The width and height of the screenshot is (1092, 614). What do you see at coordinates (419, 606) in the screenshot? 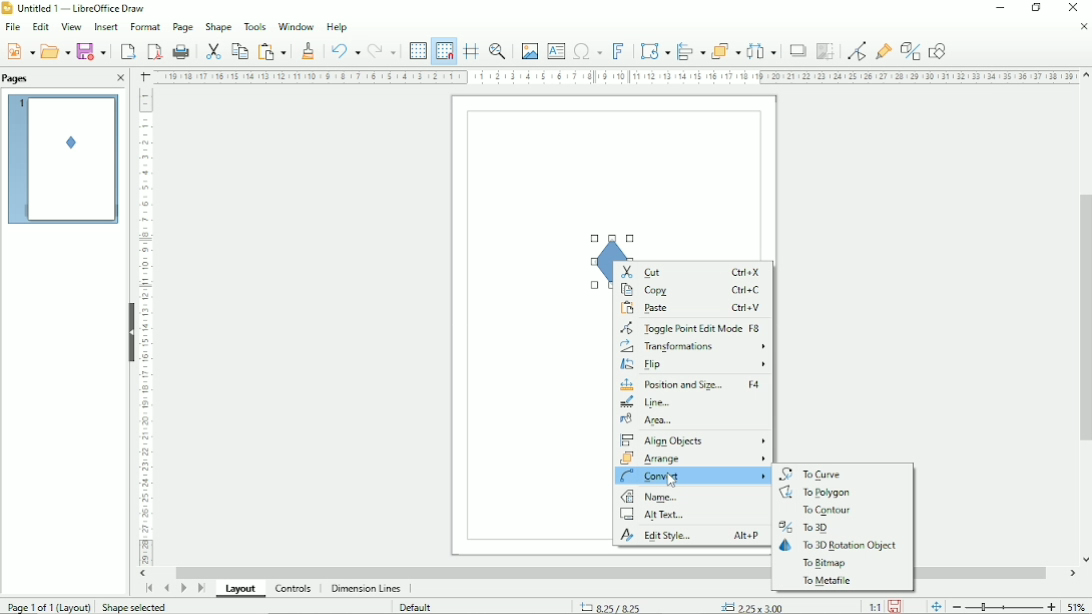
I see `Default` at bounding box center [419, 606].